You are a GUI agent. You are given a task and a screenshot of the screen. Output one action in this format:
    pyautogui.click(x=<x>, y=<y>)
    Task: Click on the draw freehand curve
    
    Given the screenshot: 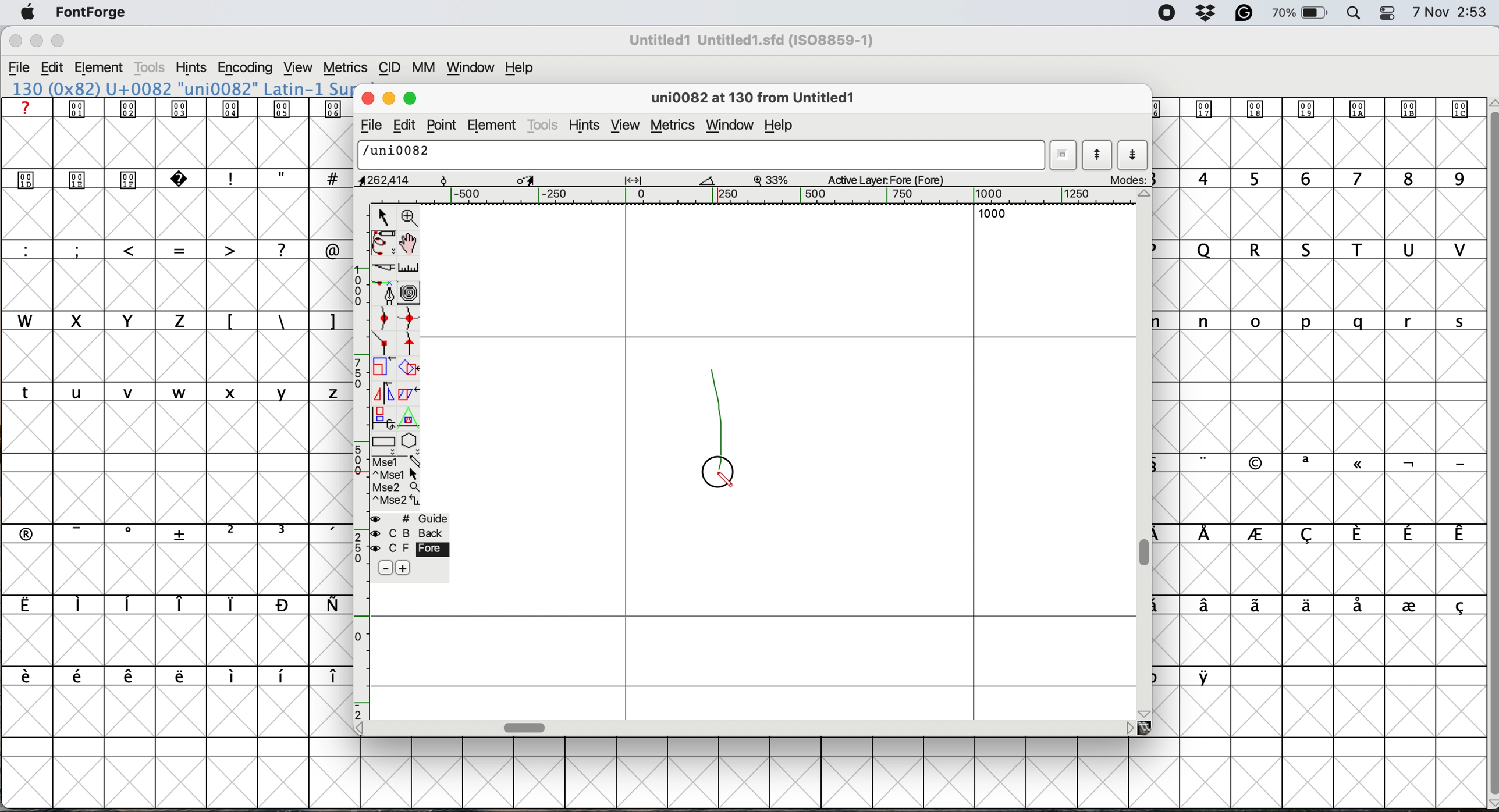 What is the action you would take?
    pyautogui.click(x=382, y=243)
    